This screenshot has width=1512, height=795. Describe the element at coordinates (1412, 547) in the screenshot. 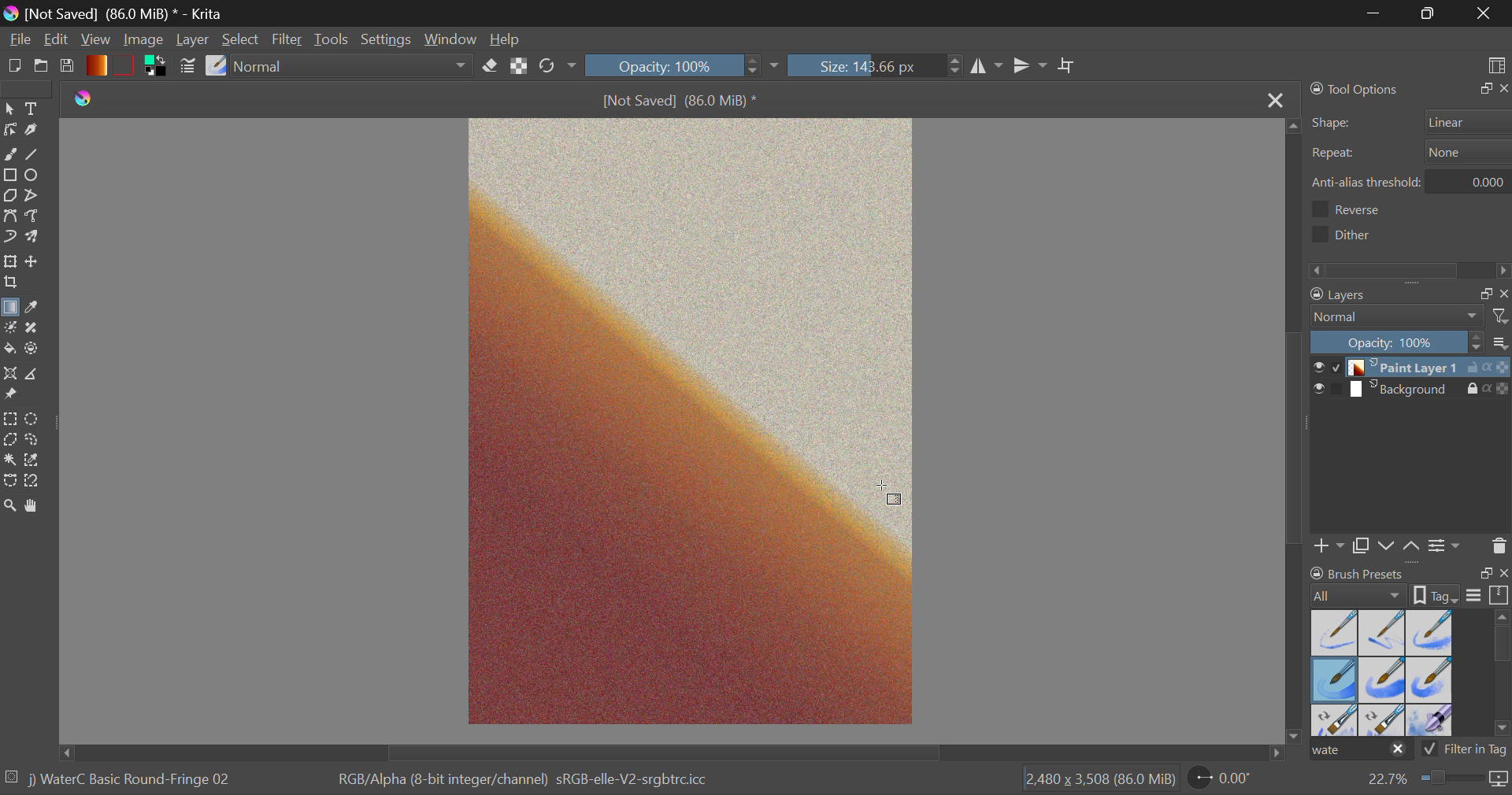

I see `move up` at that location.